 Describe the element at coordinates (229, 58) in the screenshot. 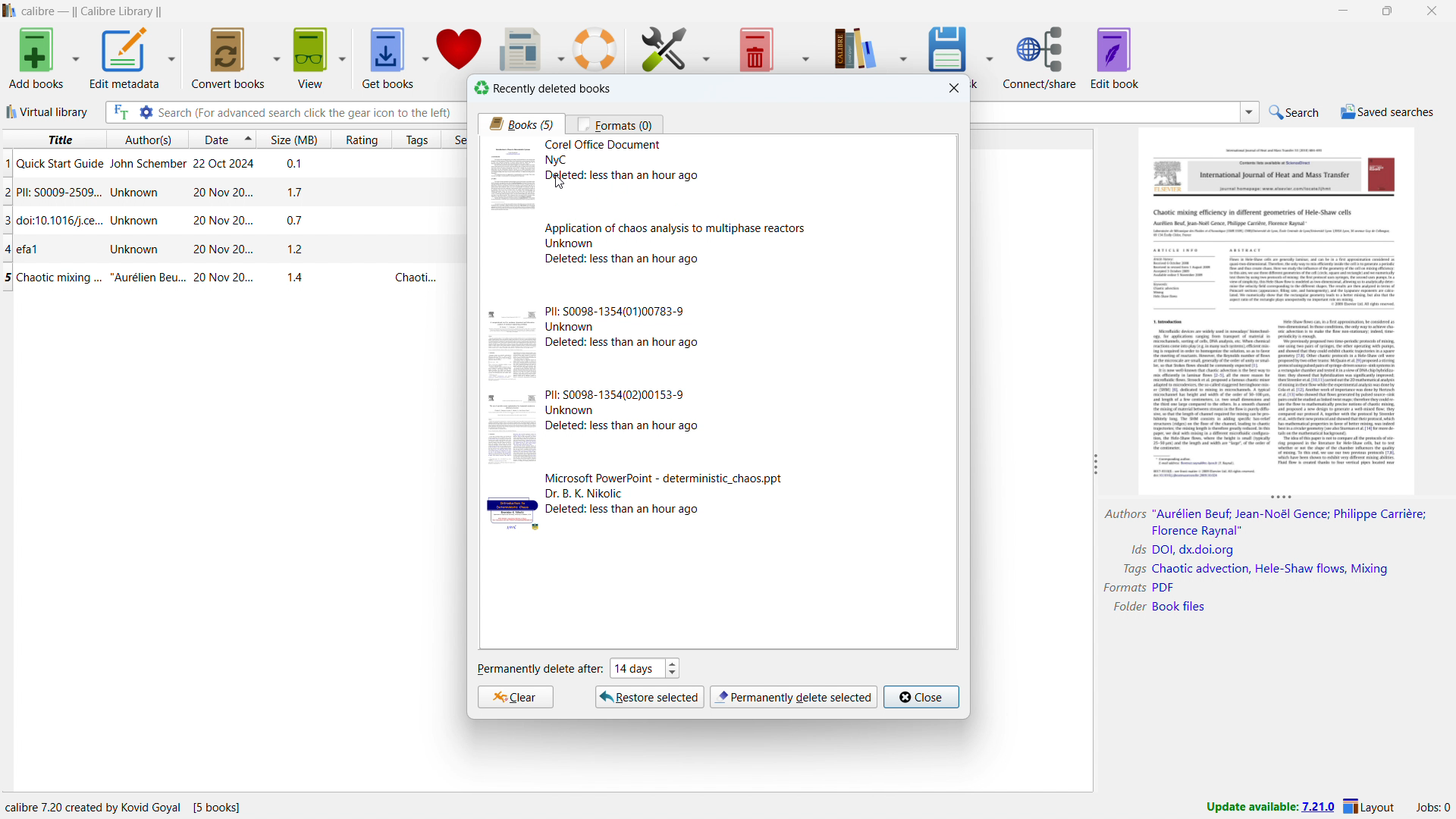

I see `convert books` at that location.